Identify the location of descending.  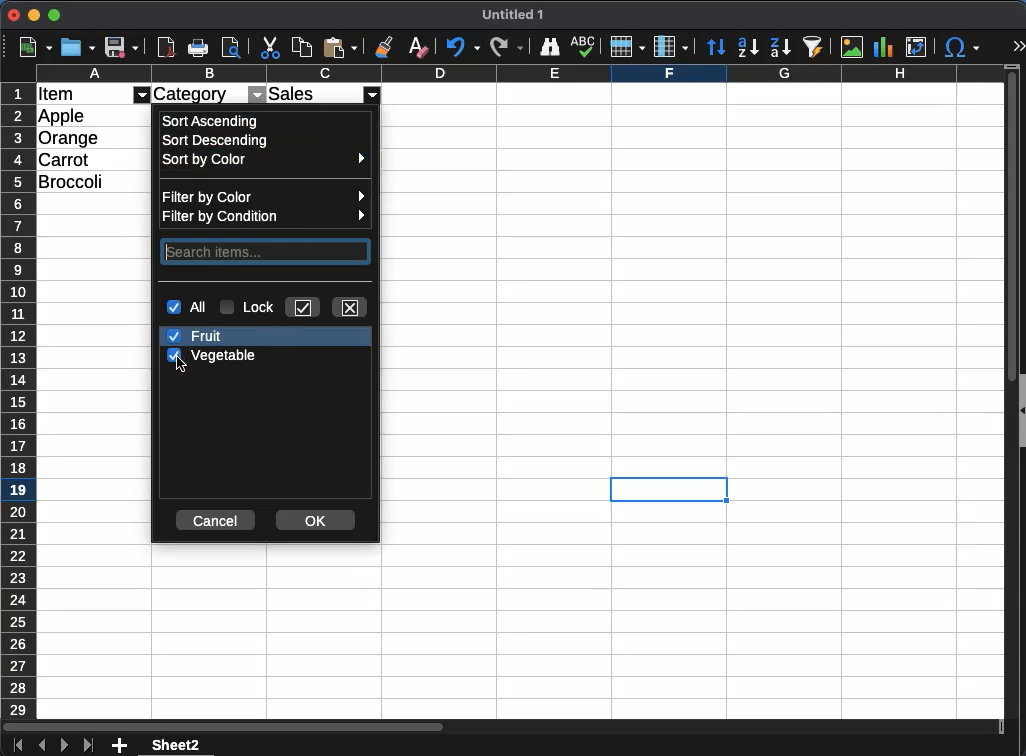
(780, 48).